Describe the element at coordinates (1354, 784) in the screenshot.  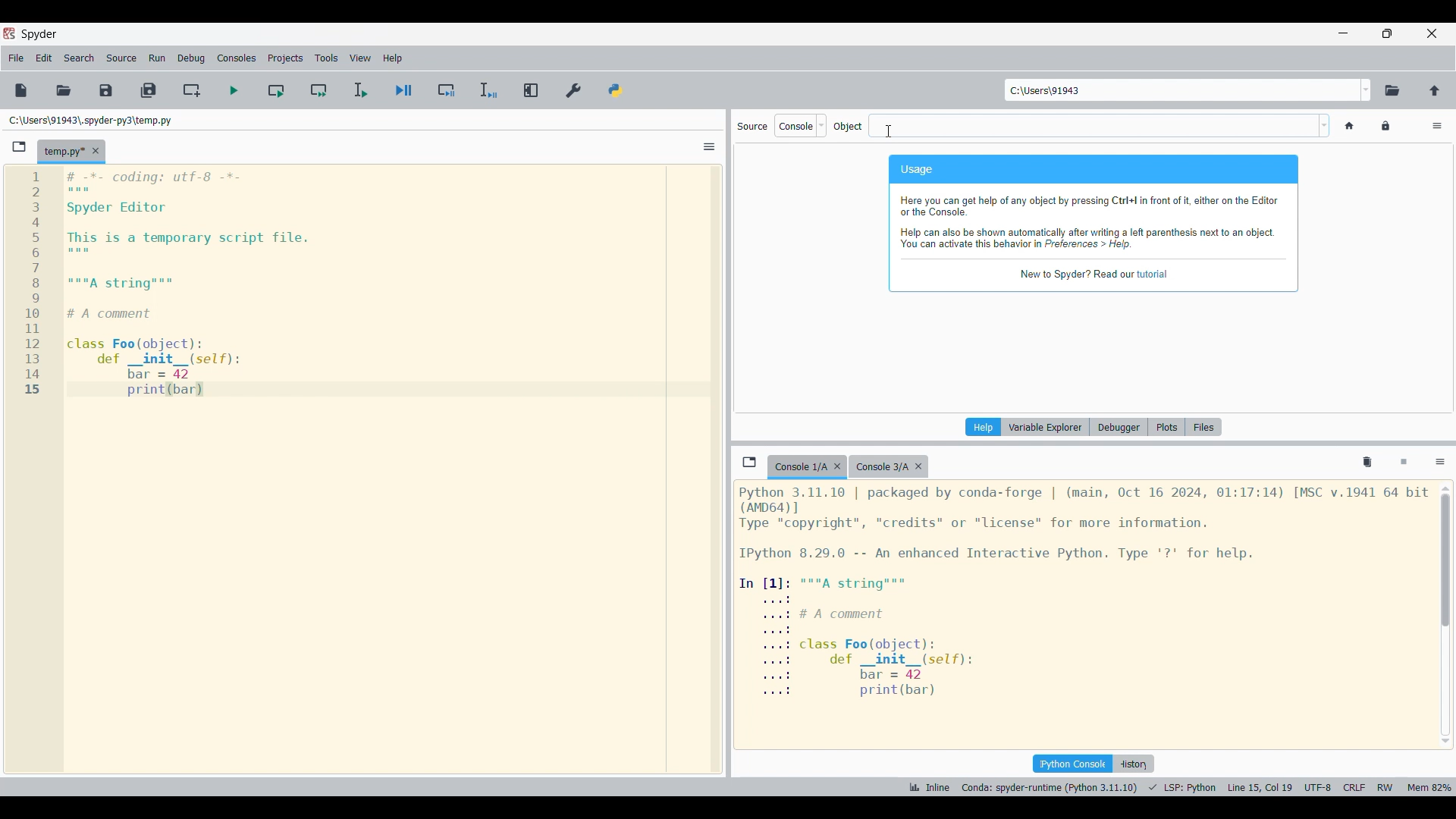
I see `CRLF` at that location.